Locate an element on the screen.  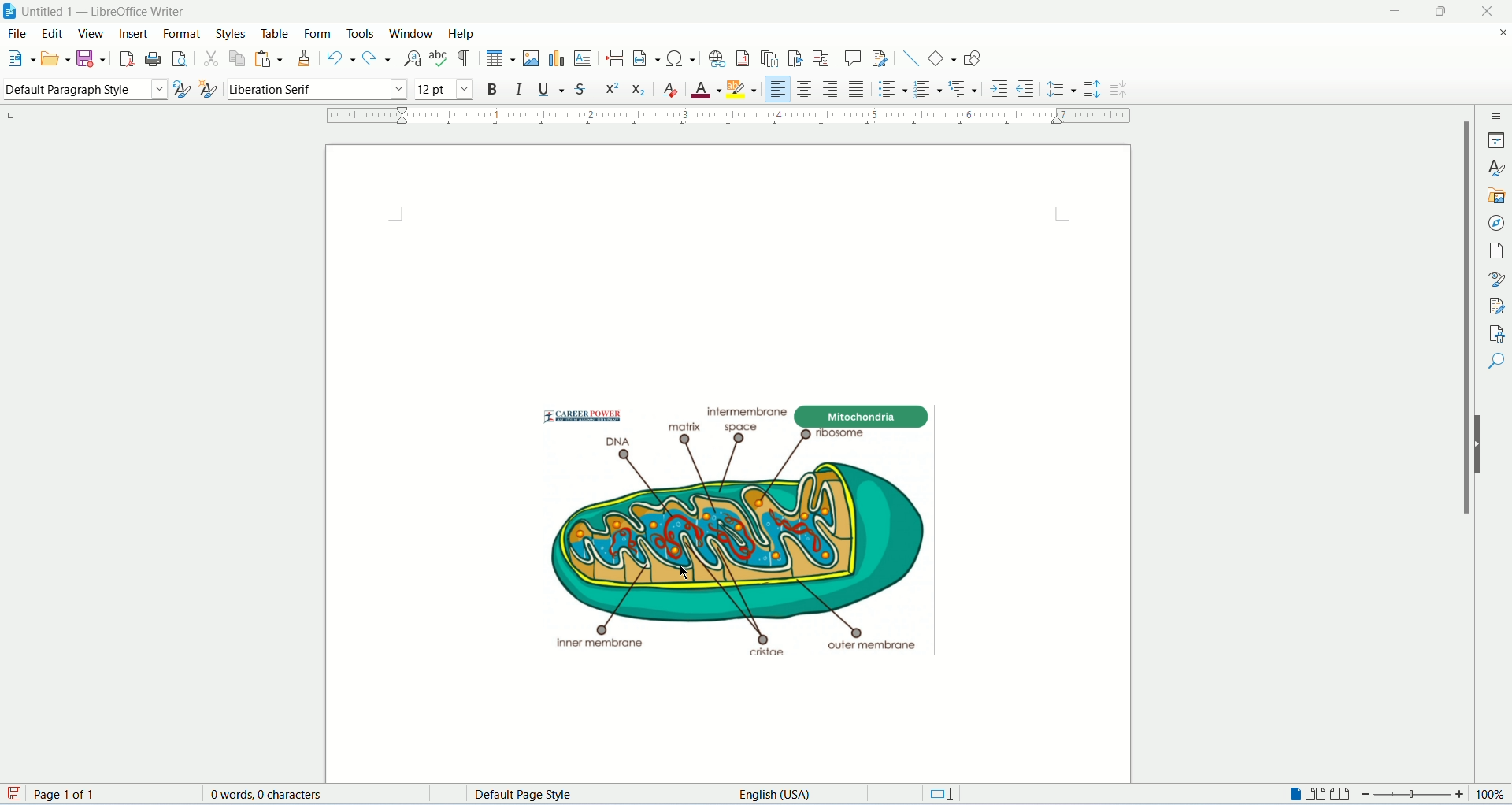
set line spacing is located at coordinates (1062, 90).